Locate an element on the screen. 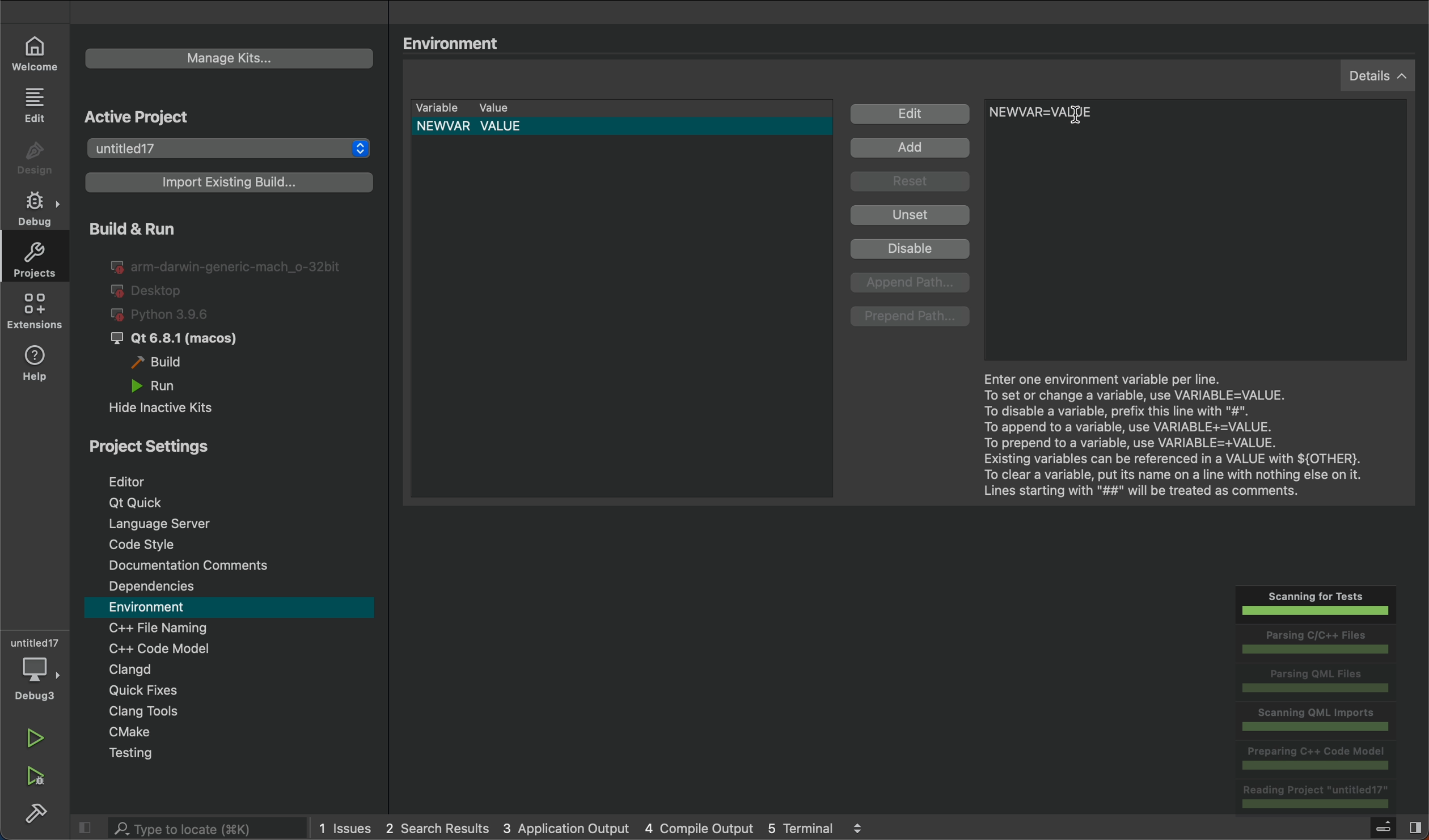  prepend path is located at coordinates (912, 317).